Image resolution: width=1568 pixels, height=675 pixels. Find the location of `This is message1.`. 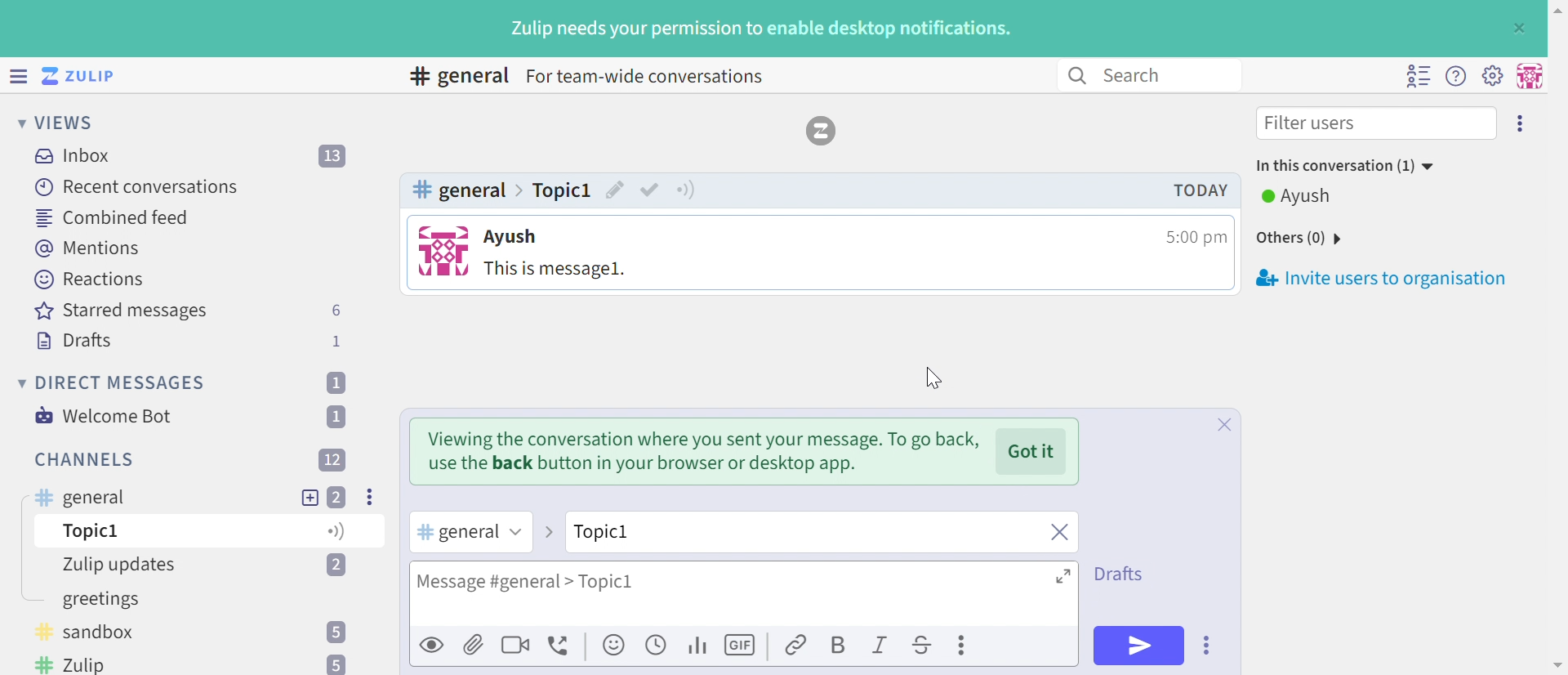

This is message1. is located at coordinates (556, 270).